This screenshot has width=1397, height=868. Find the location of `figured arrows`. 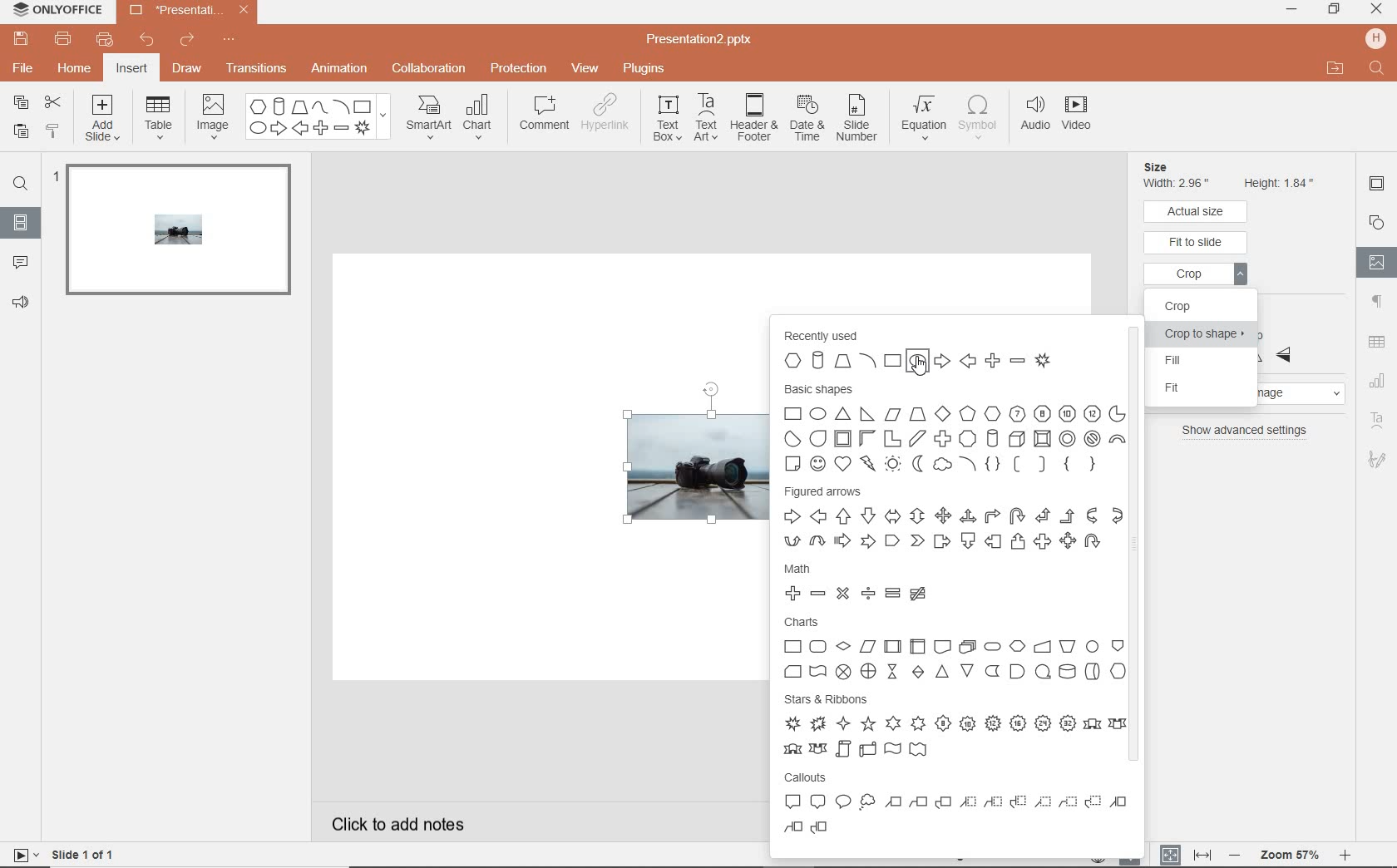

figured arrows is located at coordinates (952, 520).